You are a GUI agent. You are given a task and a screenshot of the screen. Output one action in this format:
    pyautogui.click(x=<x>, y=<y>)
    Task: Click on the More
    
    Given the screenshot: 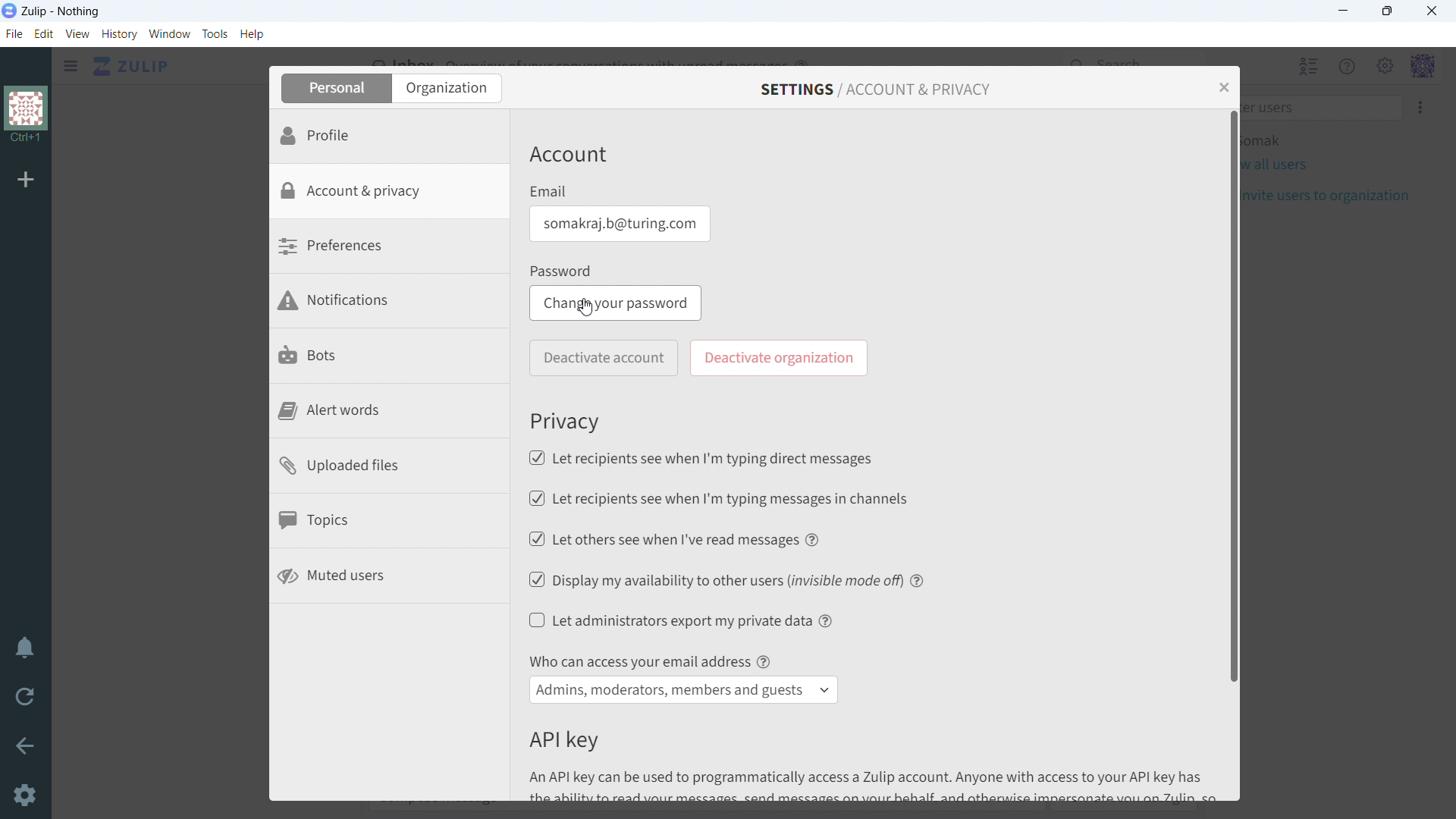 What is the action you would take?
    pyautogui.click(x=1422, y=107)
    